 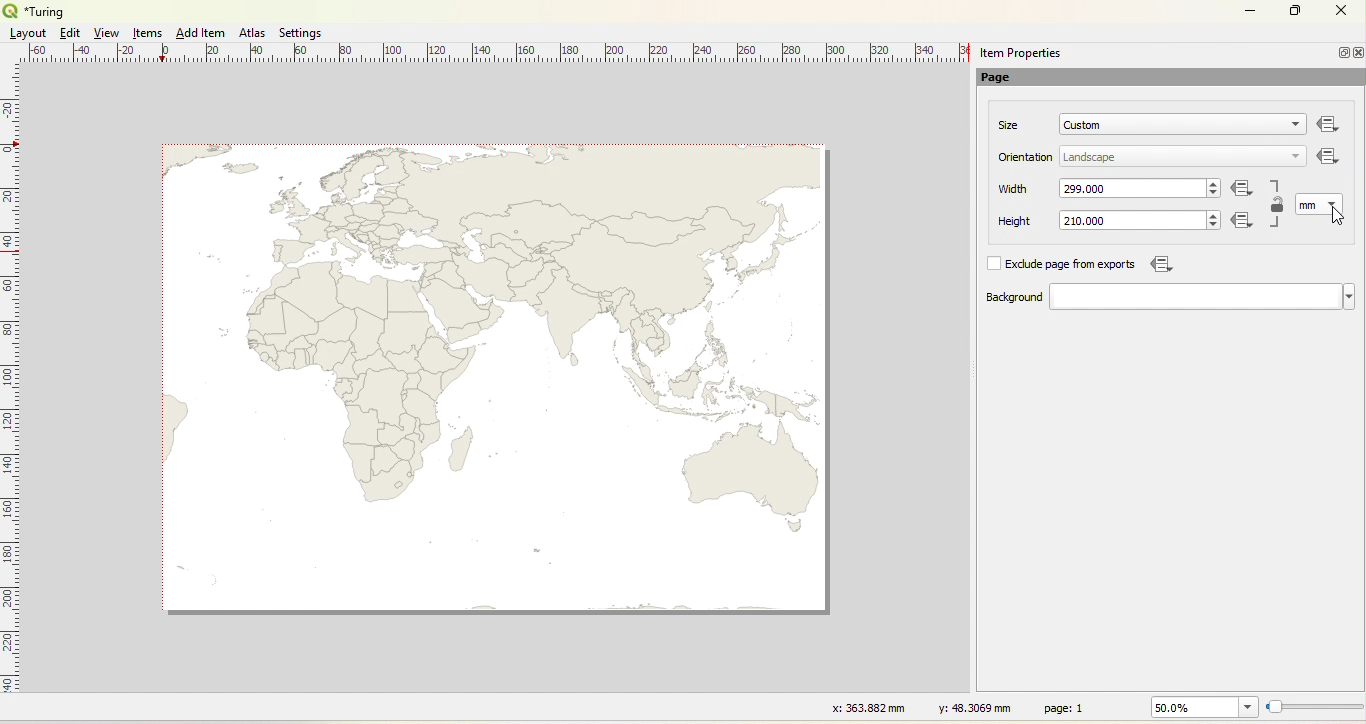 I want to click on page: 1, so click(x=1067, y=707).